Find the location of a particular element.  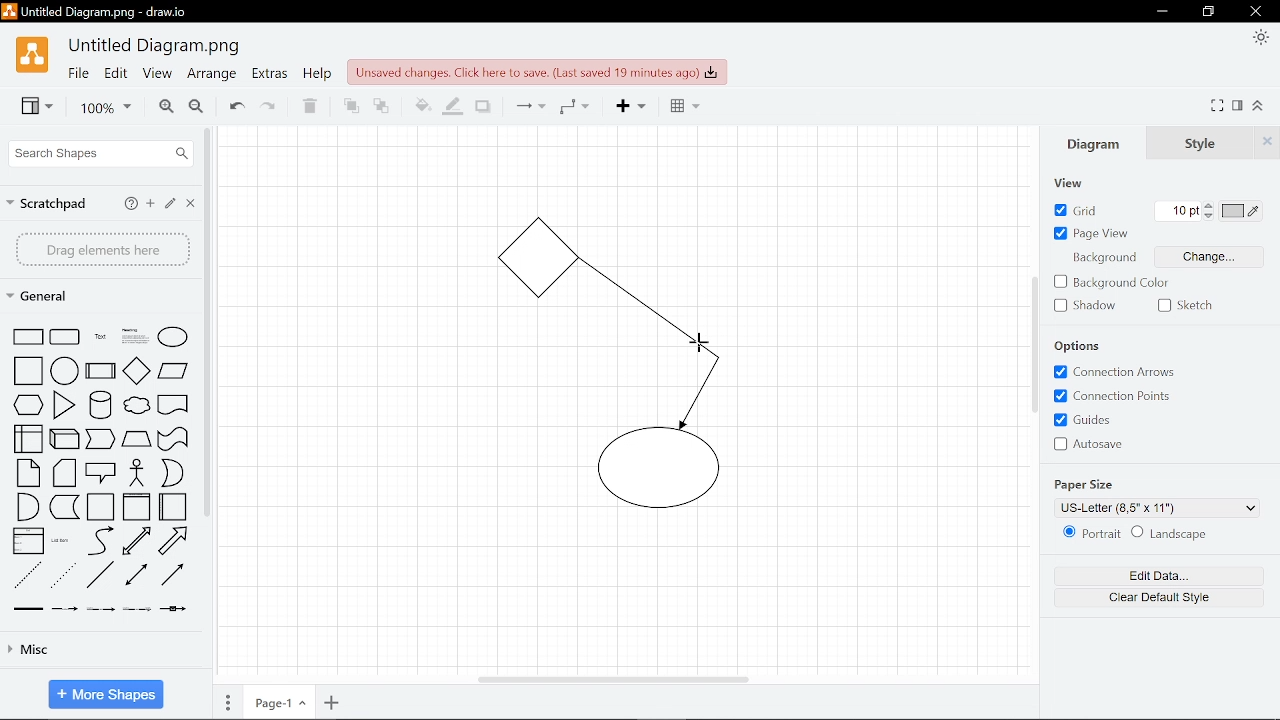

Grid color is located at coordinates (1241, 210).